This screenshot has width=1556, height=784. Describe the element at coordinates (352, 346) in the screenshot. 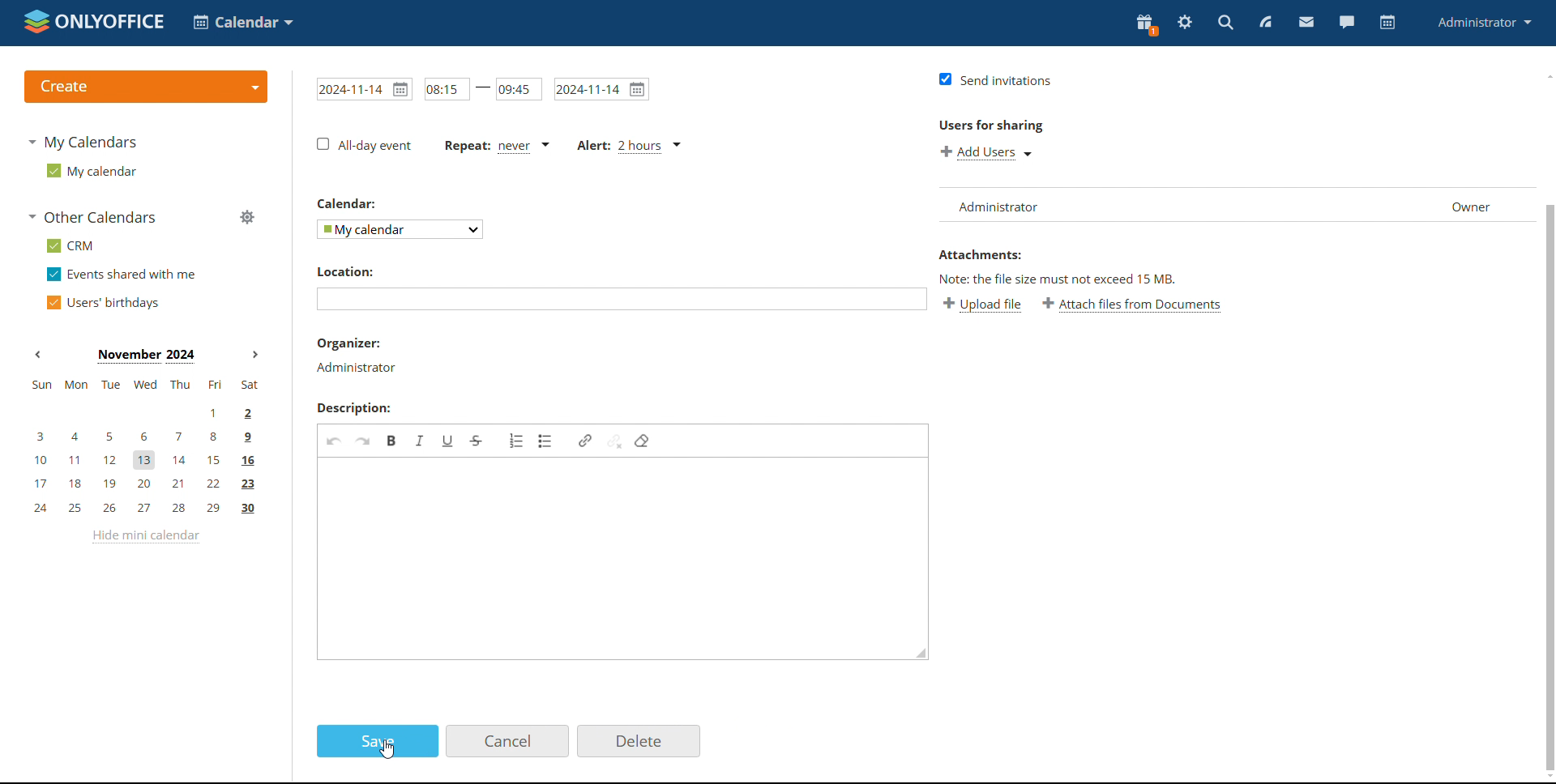

I see `organizer label` at that location.